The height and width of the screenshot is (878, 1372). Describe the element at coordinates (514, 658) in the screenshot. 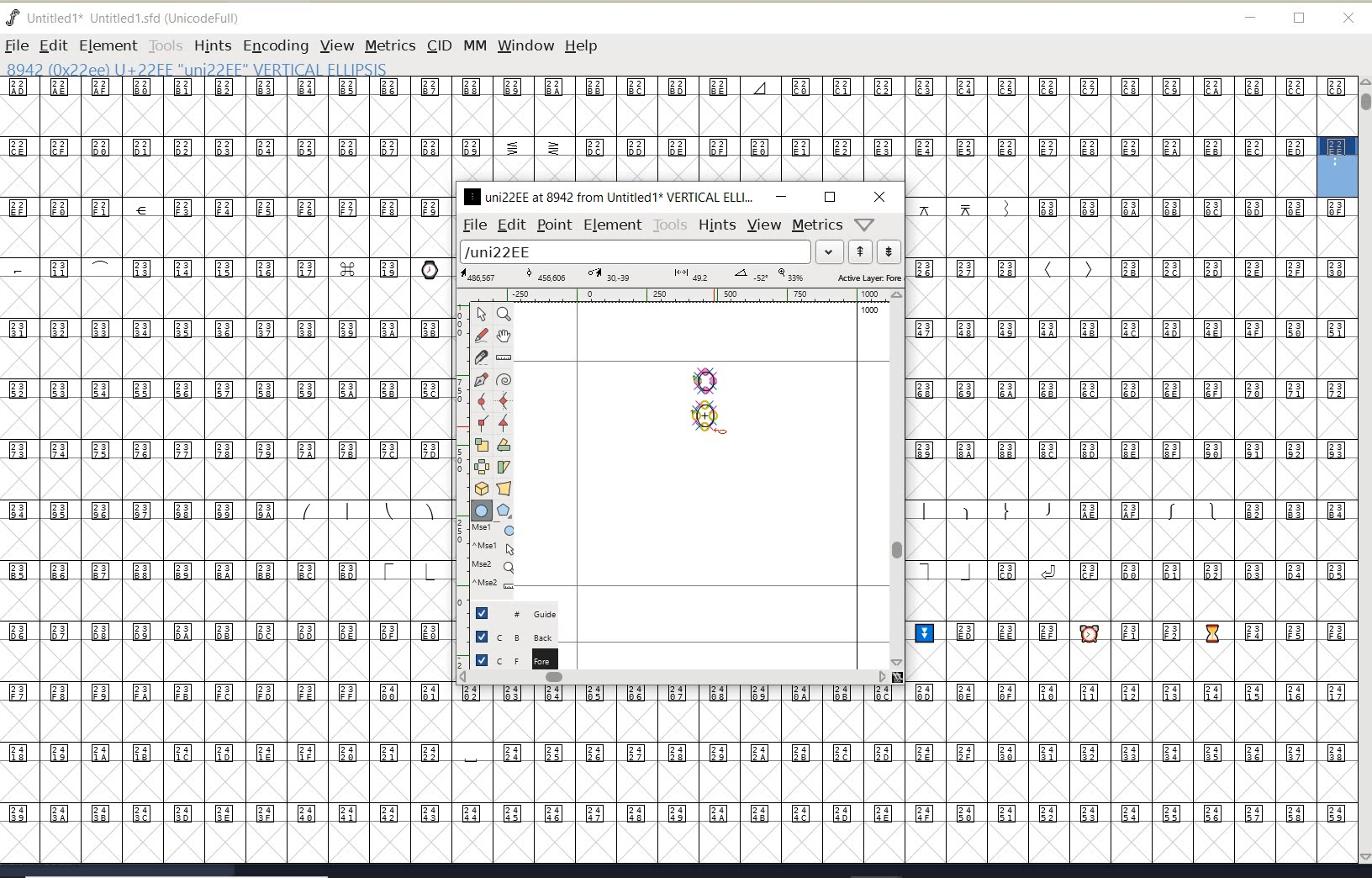

I see `foreground` at that location.